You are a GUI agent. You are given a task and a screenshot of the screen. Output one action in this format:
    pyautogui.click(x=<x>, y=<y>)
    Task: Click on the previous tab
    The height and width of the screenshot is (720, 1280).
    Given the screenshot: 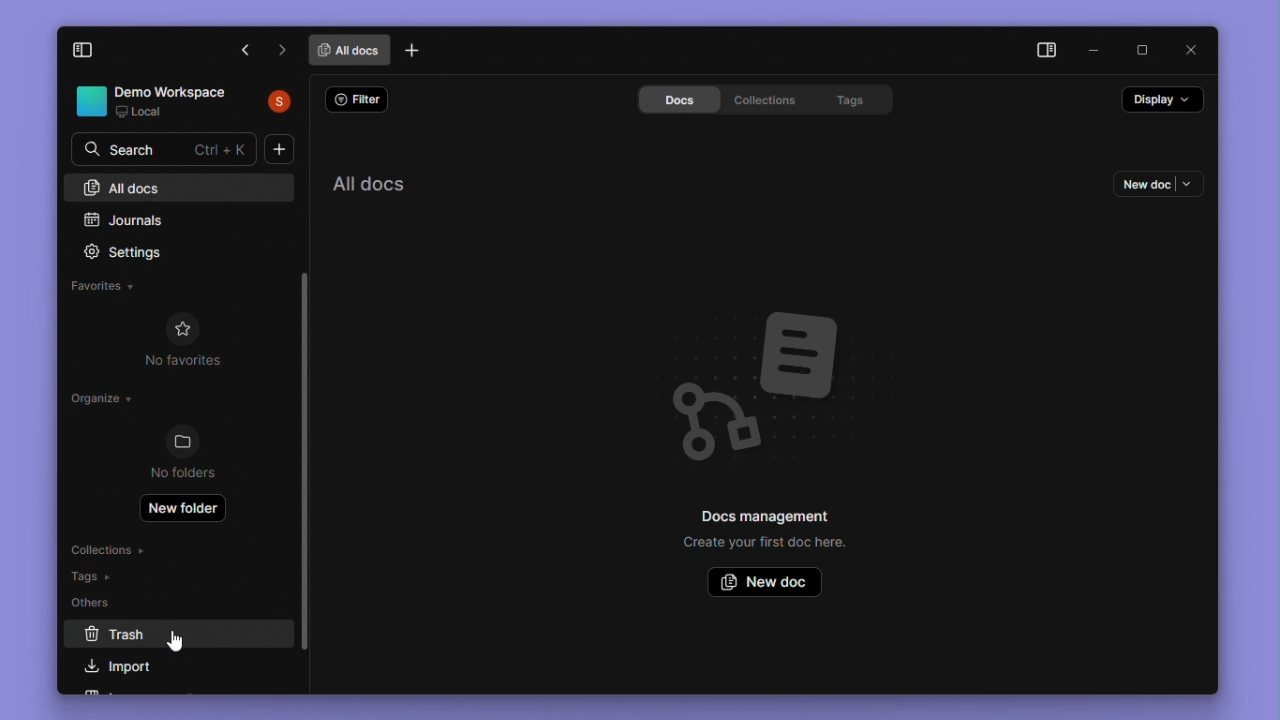 What is the action you would take?
    pyautogui.click(x=243, y=49)
    